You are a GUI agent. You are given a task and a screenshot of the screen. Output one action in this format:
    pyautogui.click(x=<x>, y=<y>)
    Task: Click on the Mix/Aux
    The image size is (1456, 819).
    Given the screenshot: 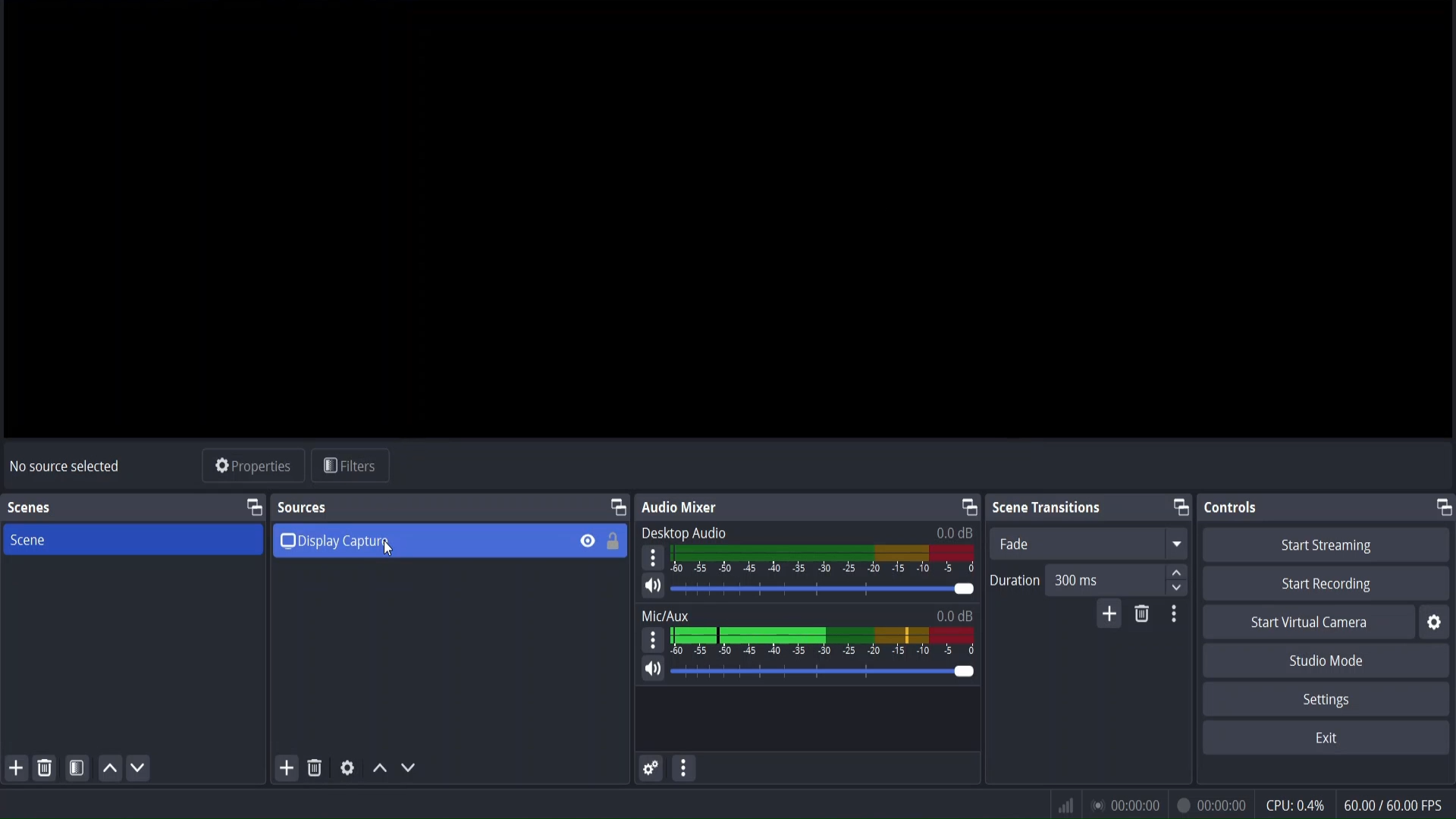 What is the action you would take?
    pyautogui.click(x=663, y=615)
    